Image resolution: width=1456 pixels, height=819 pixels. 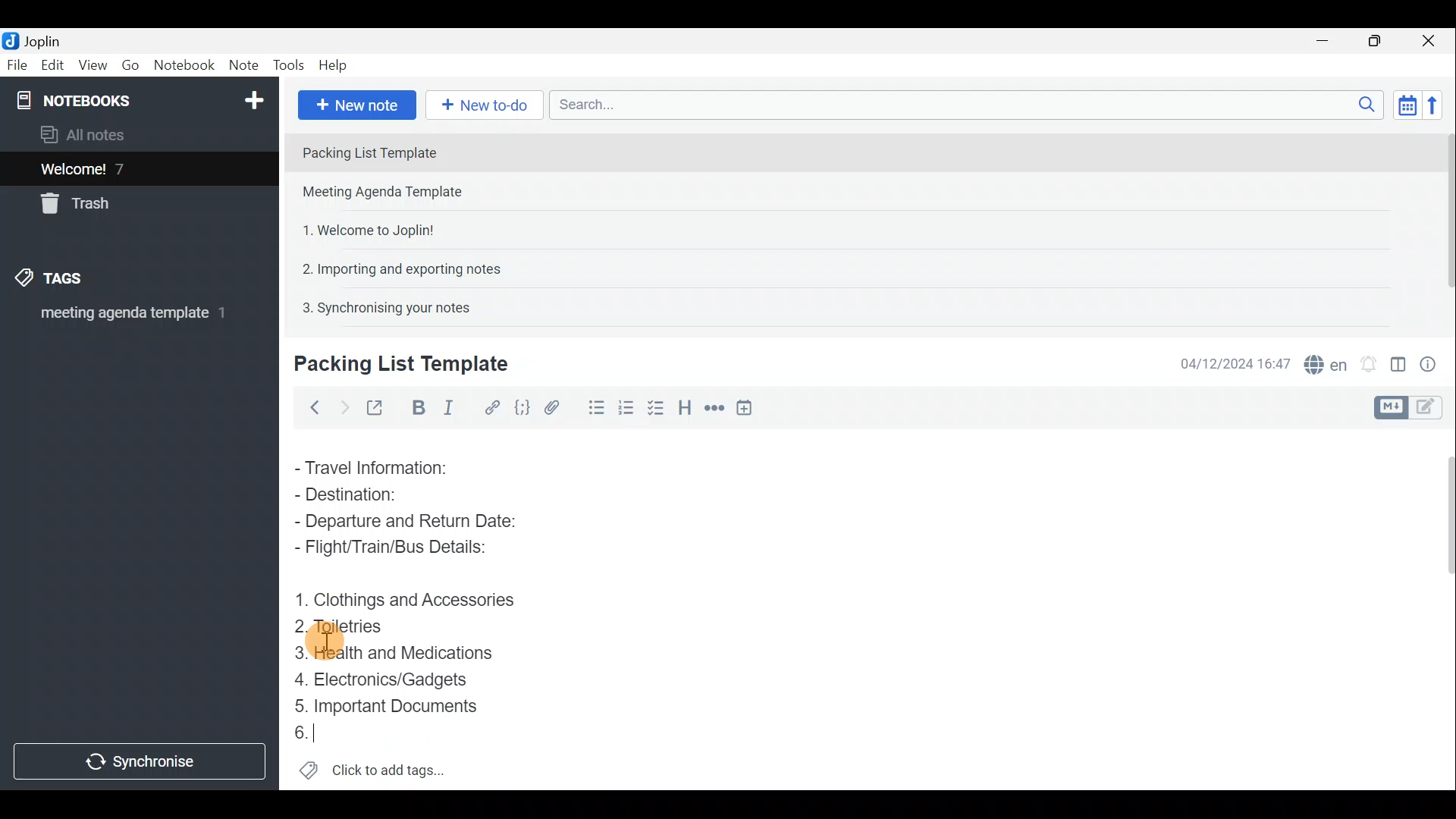 I want to click on New to-do, so click(x=485, y=105).